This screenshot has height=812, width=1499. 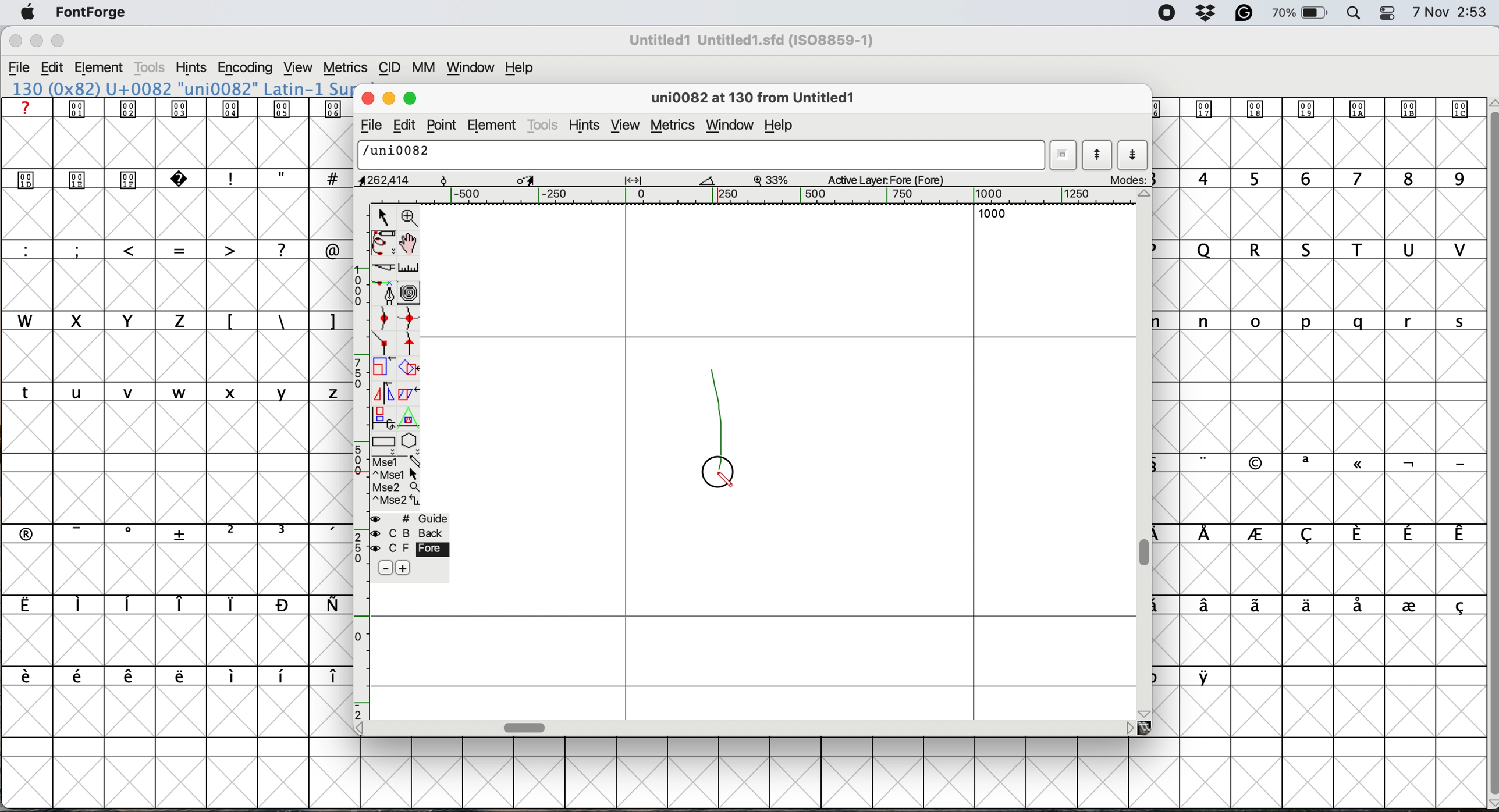 What do you see at coordinates (588, 126) in the screenshot?
I see `hints` at bounding box center [588, 126].